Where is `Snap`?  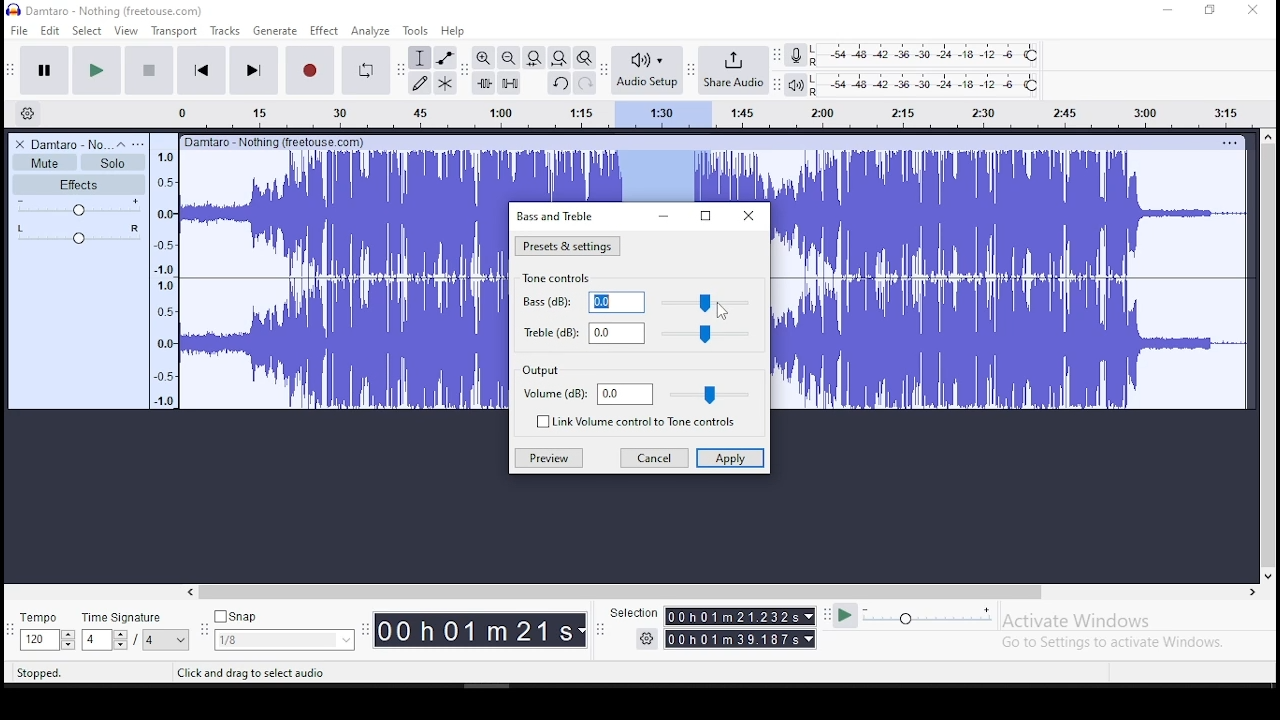
Snap is located at coordinates (284, 617).